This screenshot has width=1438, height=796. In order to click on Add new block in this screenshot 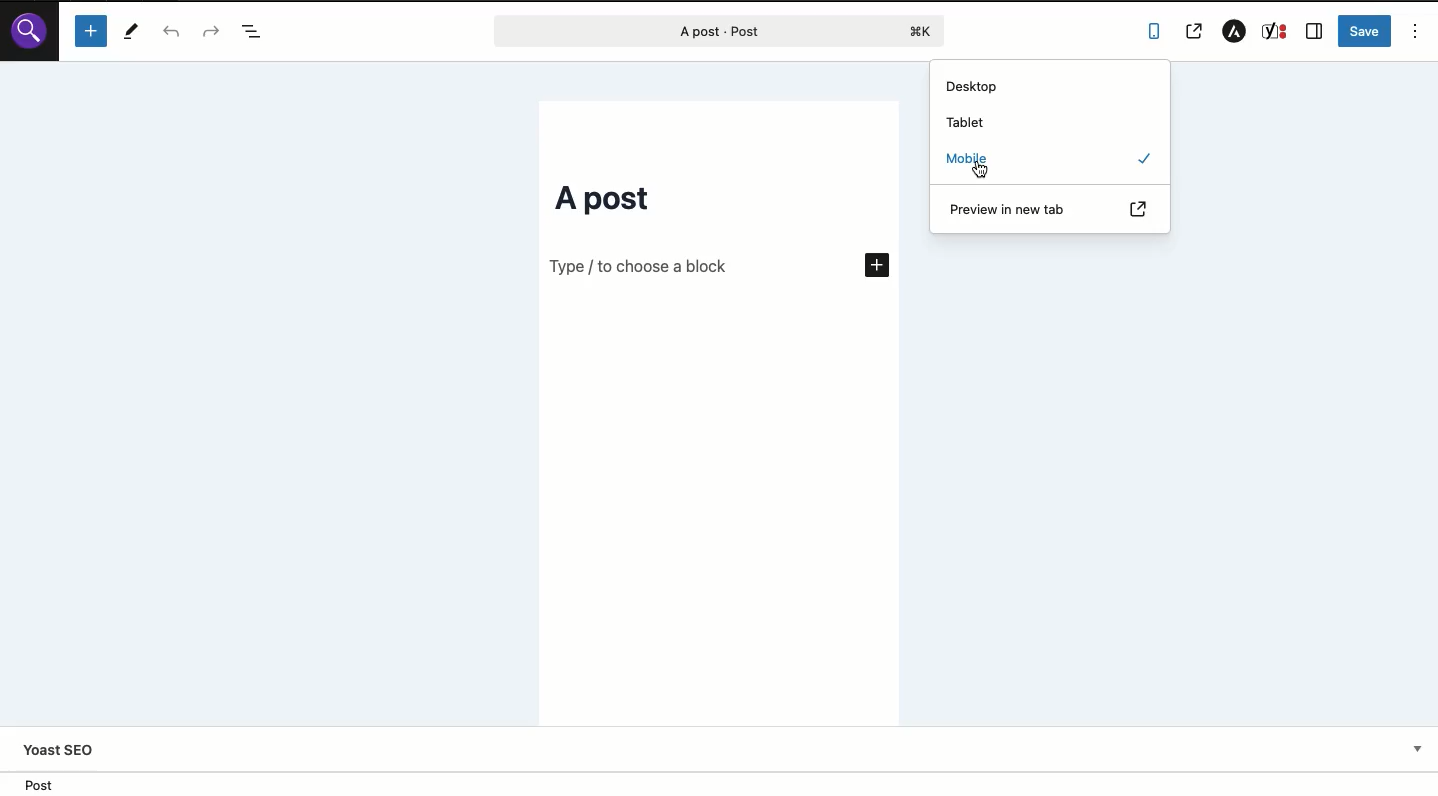, I will do `click(1083, 246)`.